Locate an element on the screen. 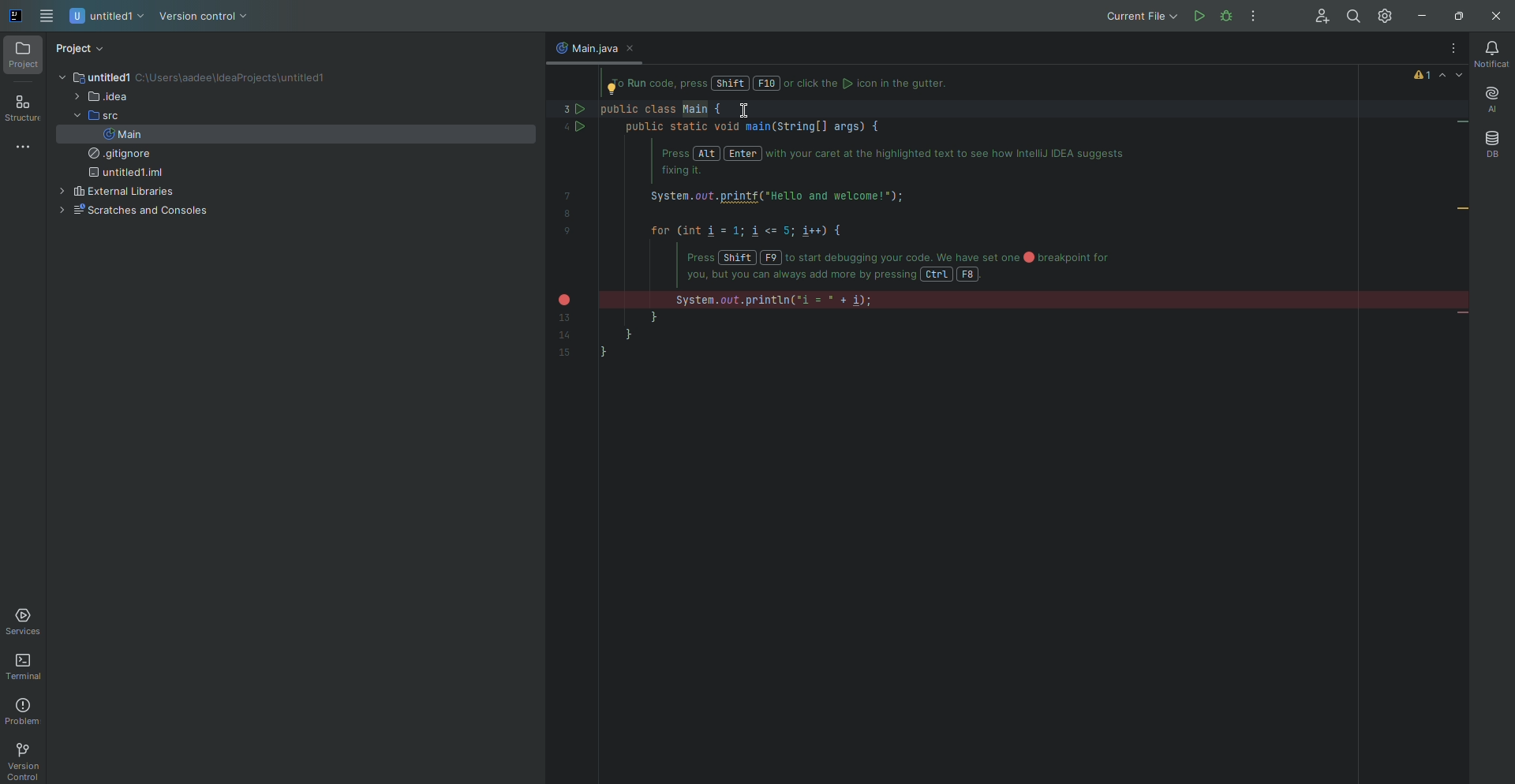  Version Control is located at coordinates (204, 17).